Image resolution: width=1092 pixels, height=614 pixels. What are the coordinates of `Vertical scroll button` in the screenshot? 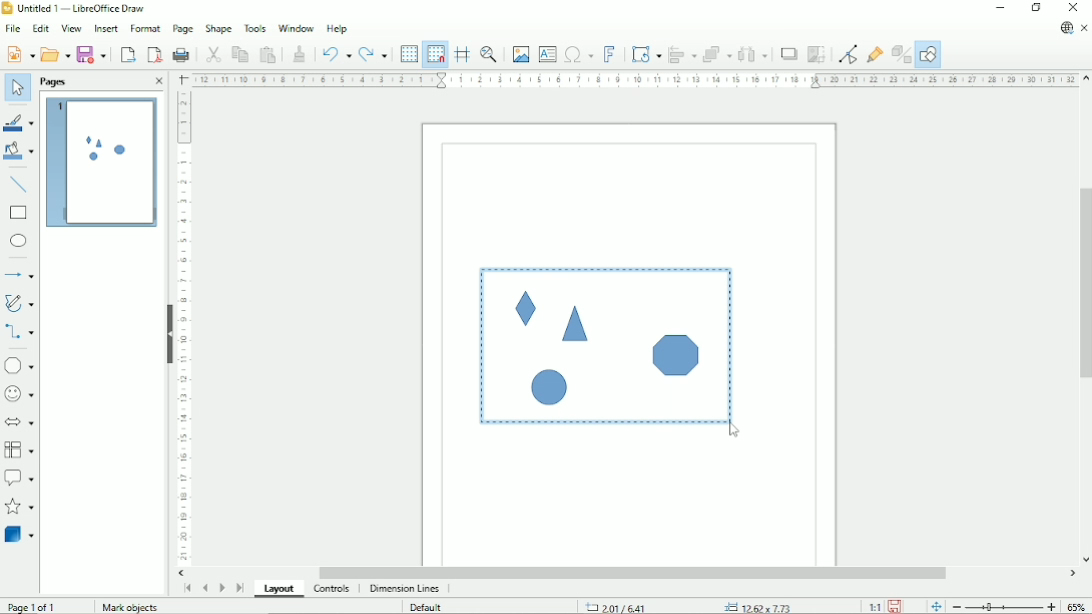 It's located at (1085, 559).